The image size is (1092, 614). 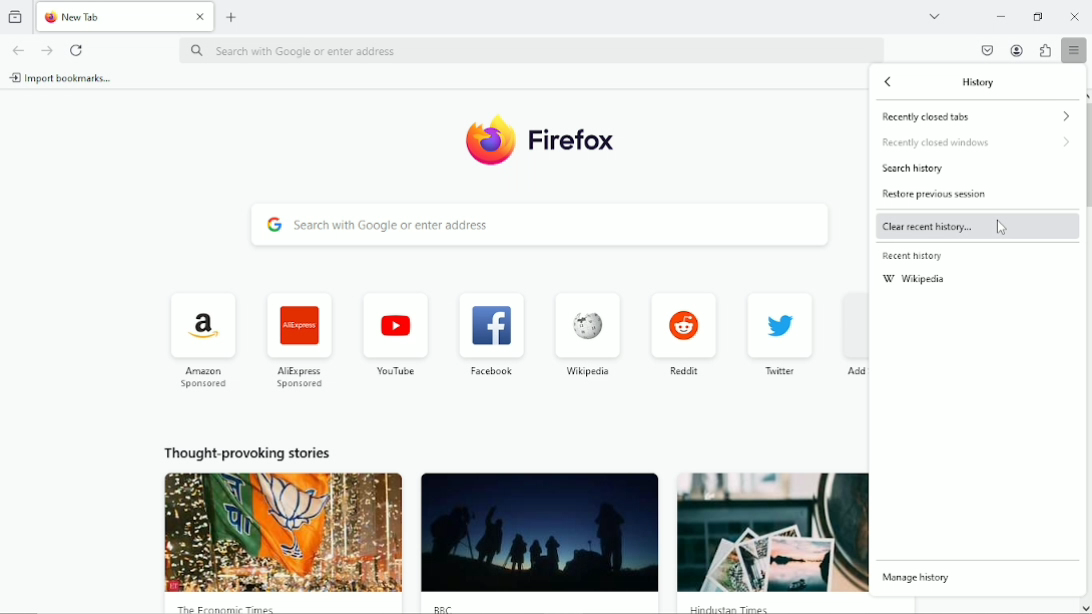 I want to click on History, so click(x=981, y=82).